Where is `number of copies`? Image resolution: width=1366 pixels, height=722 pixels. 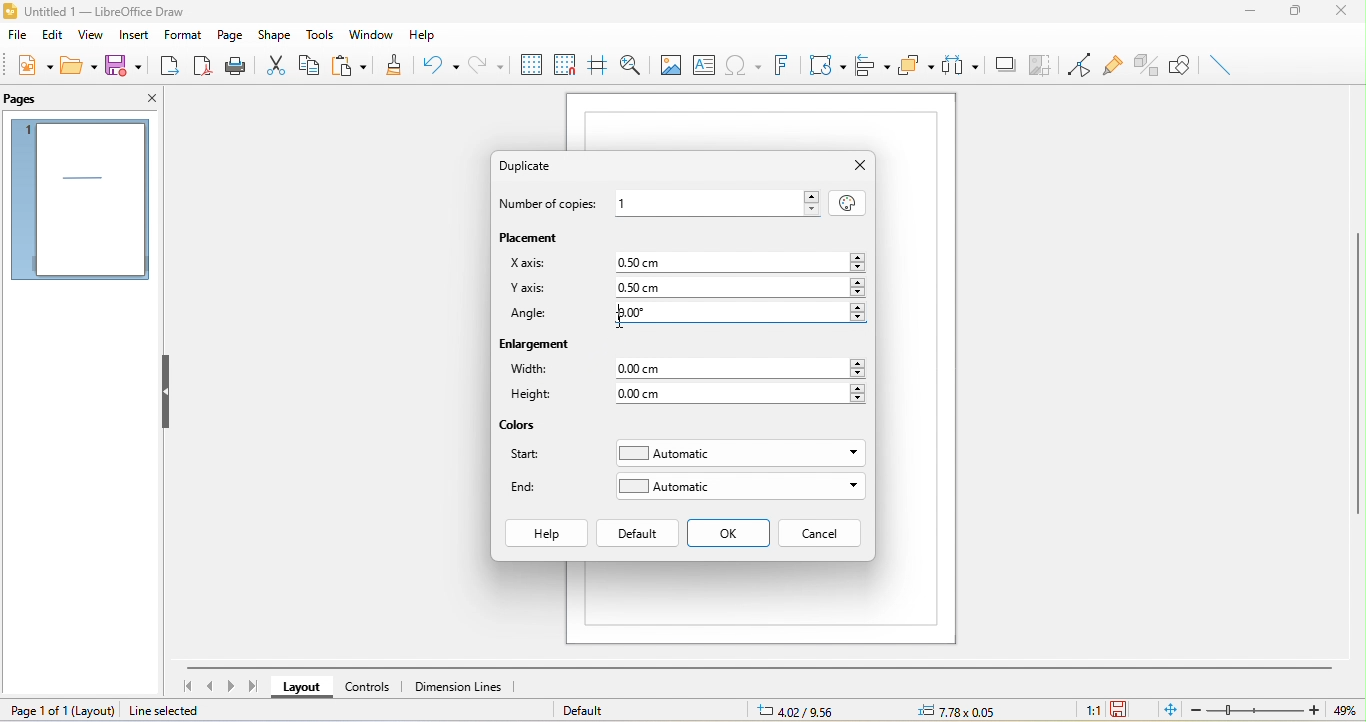 number of copies is located at coordinates (552, 205).